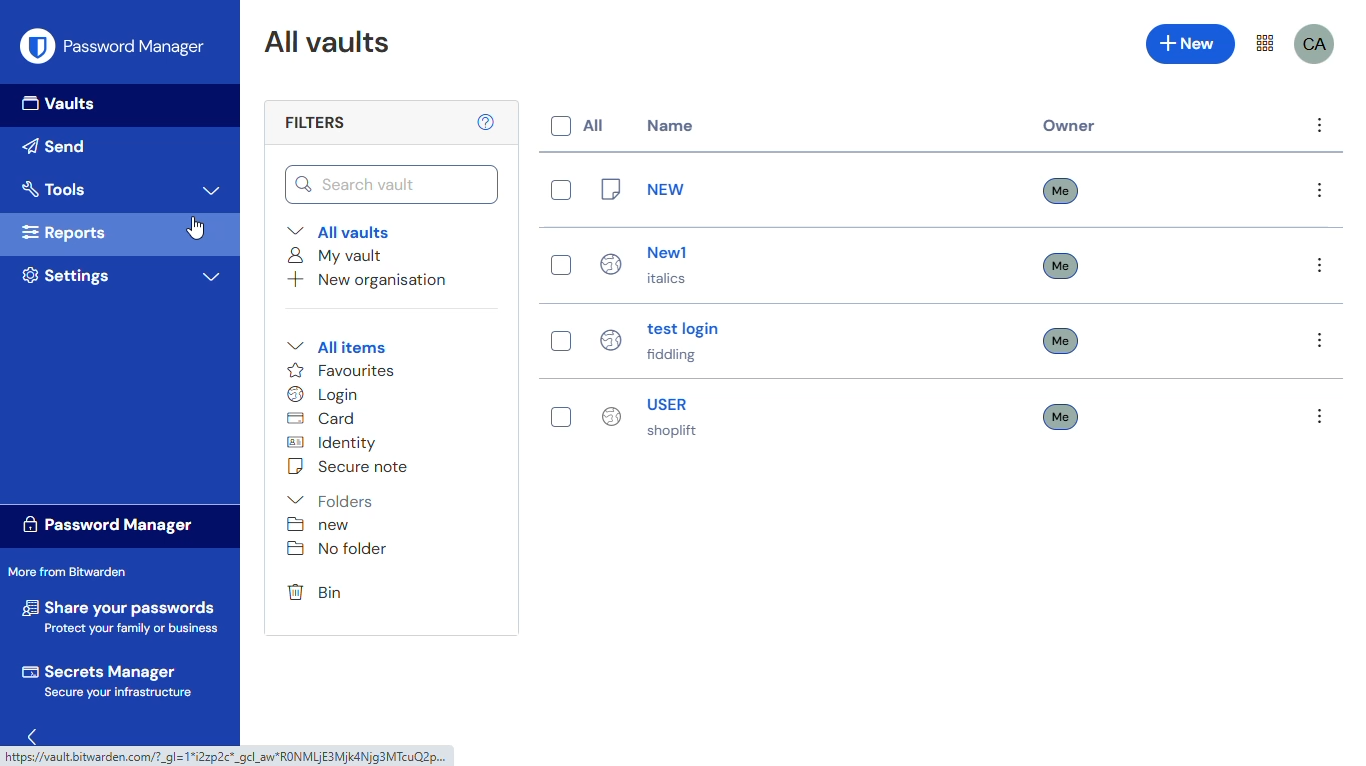 The width and height of the screenshot is (1366, 766). I want to click on all vaults, so click(338, 231).